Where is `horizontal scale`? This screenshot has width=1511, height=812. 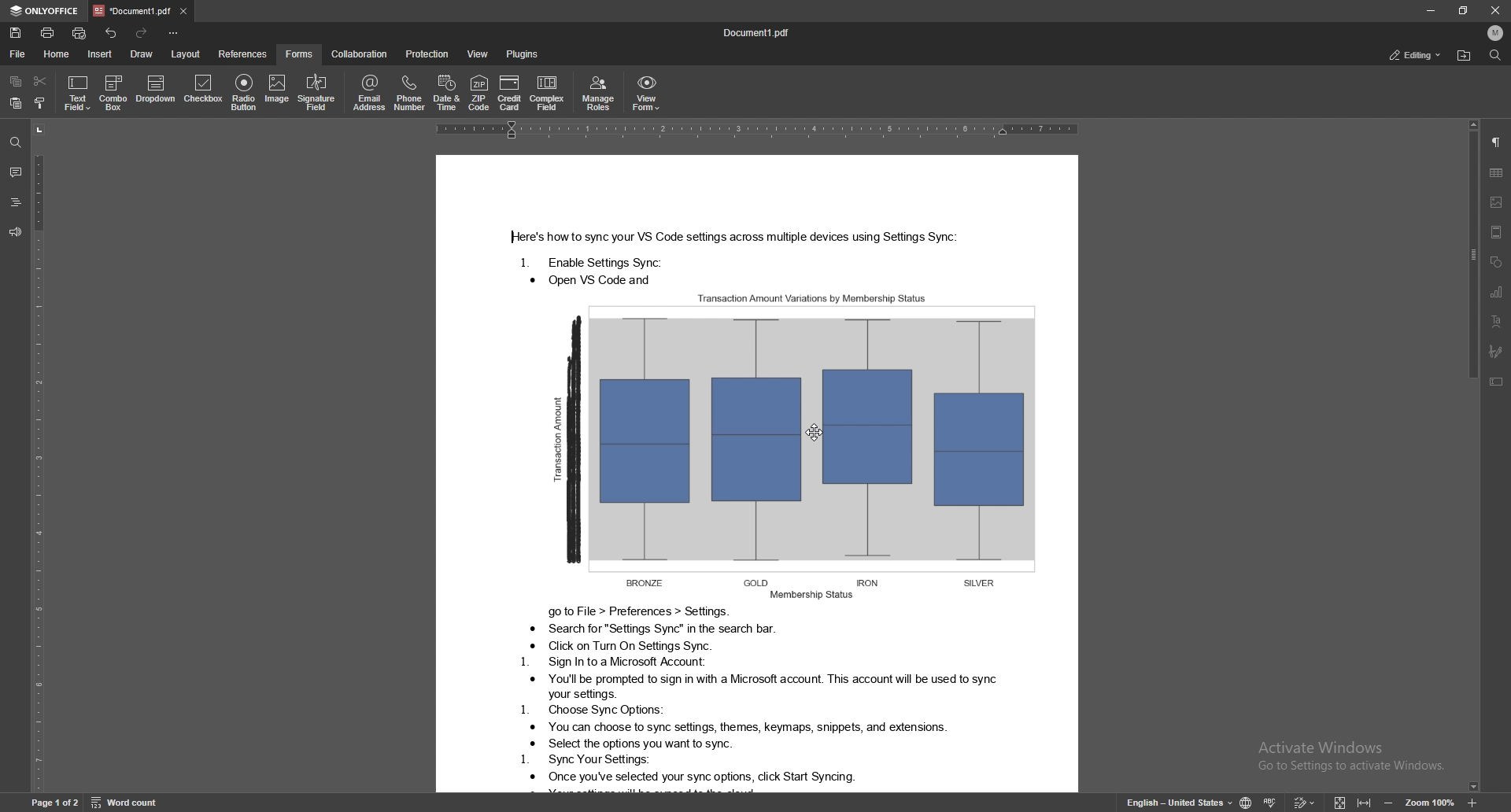 horizontal scale is located at coordinates (765, 131).